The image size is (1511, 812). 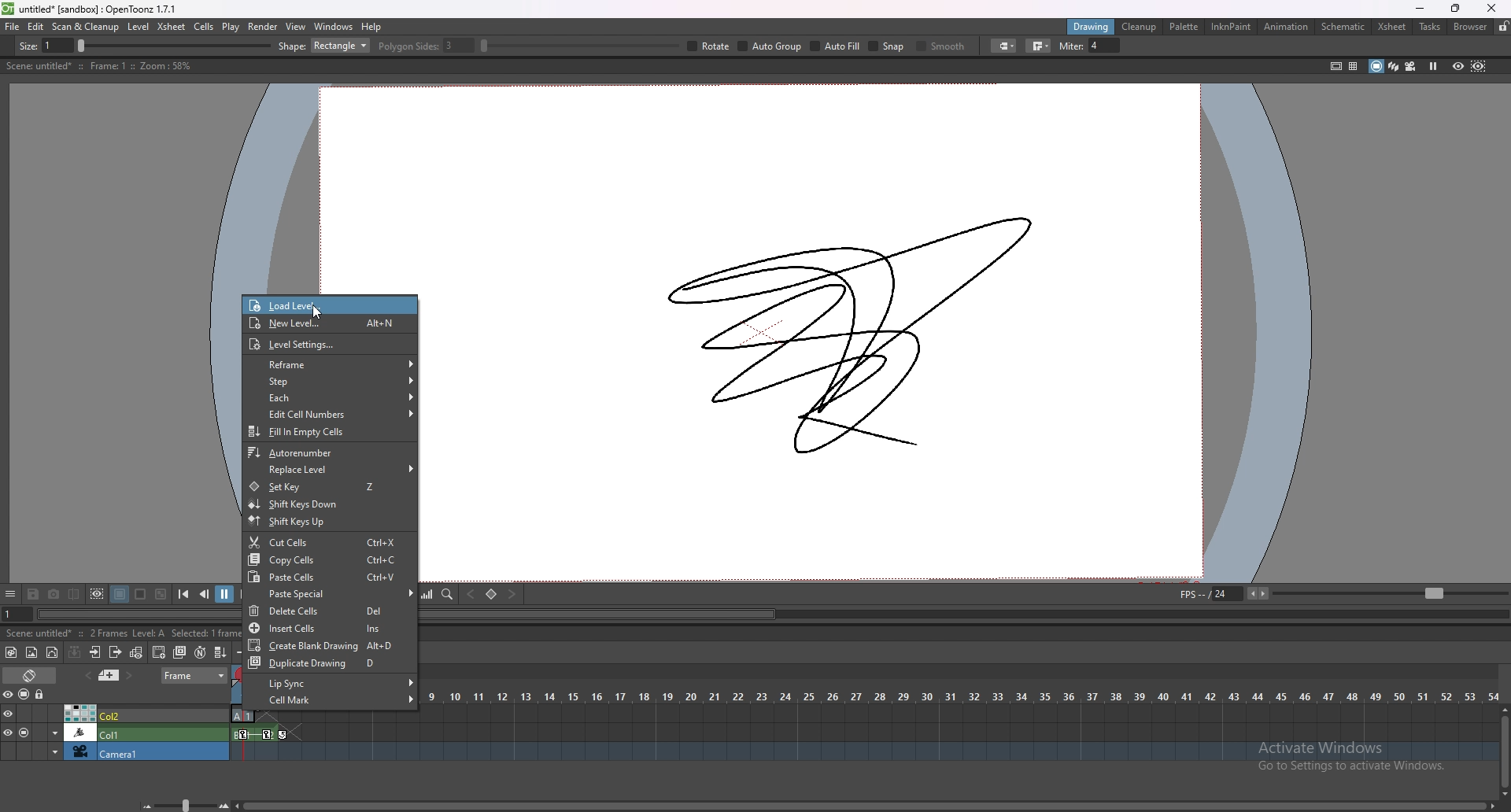 What do you see at coordinates (97, 594) in the screenshot?
I see `define sub camera` at bounding box center [97, 594].